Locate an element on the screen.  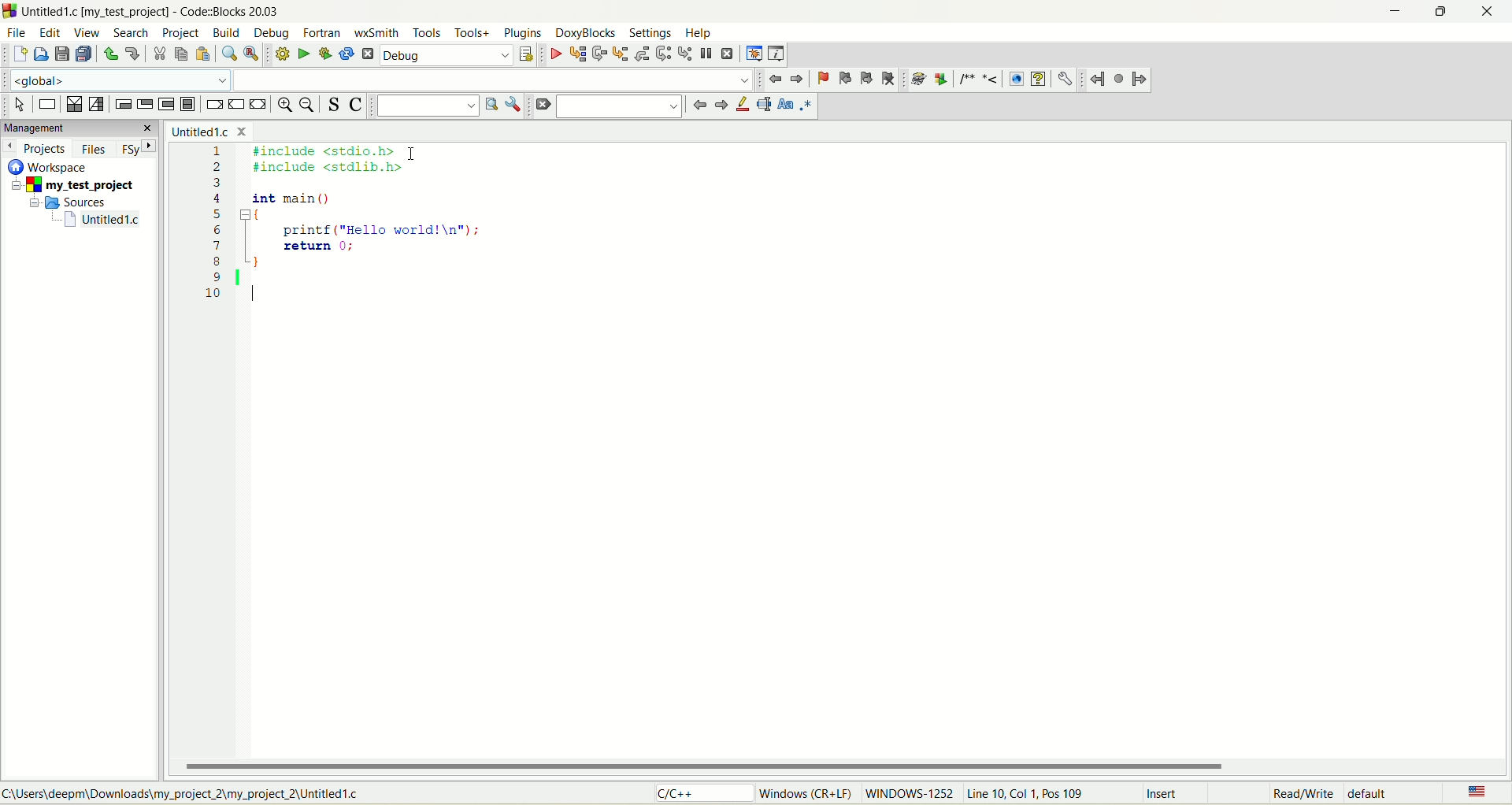
untitled1.c is located at coordinates (215, 131).